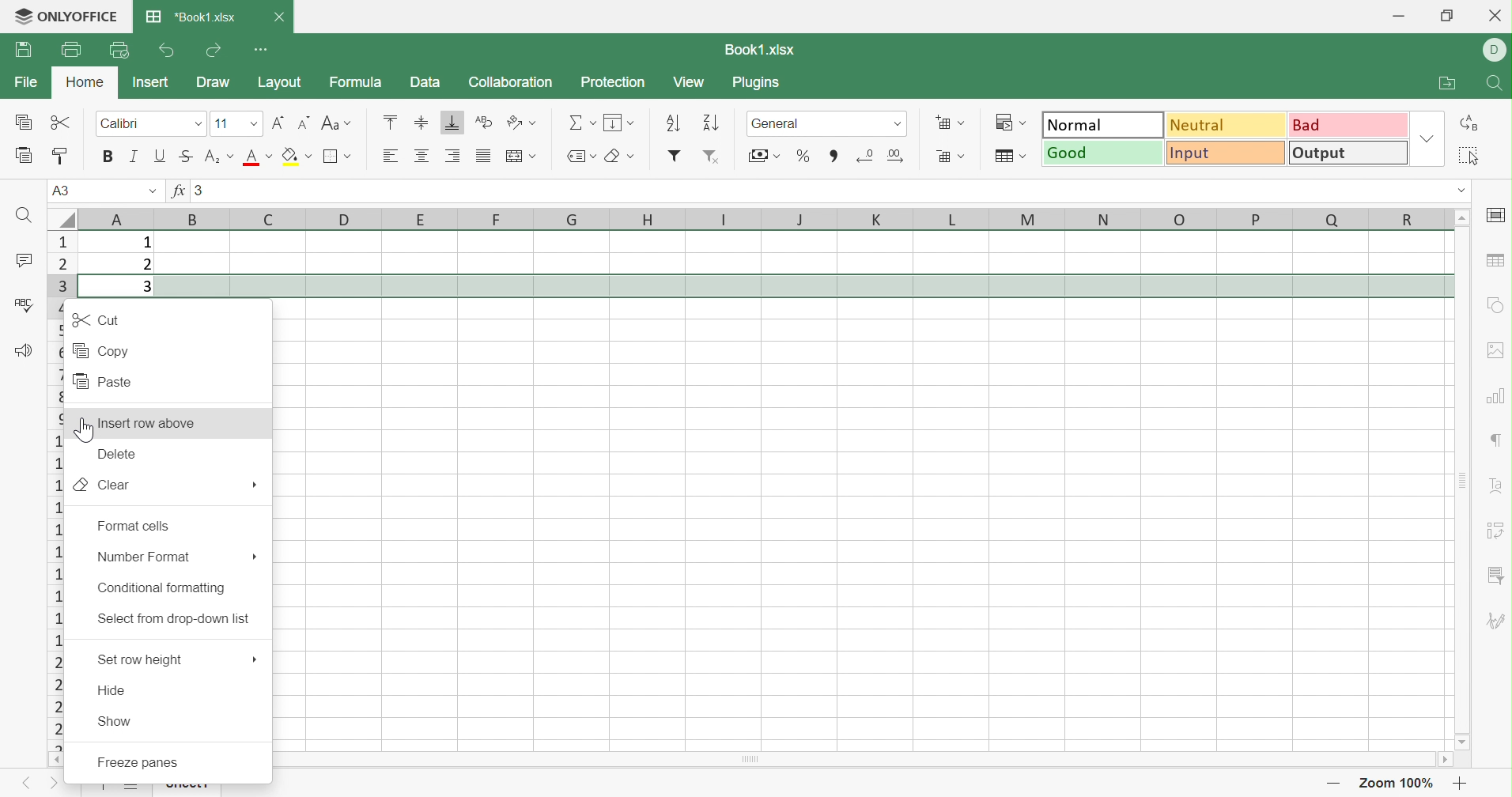  What do you see at coordinates (146, 332) in the screenshot?
I see `5` at bounding box center [146, 332].